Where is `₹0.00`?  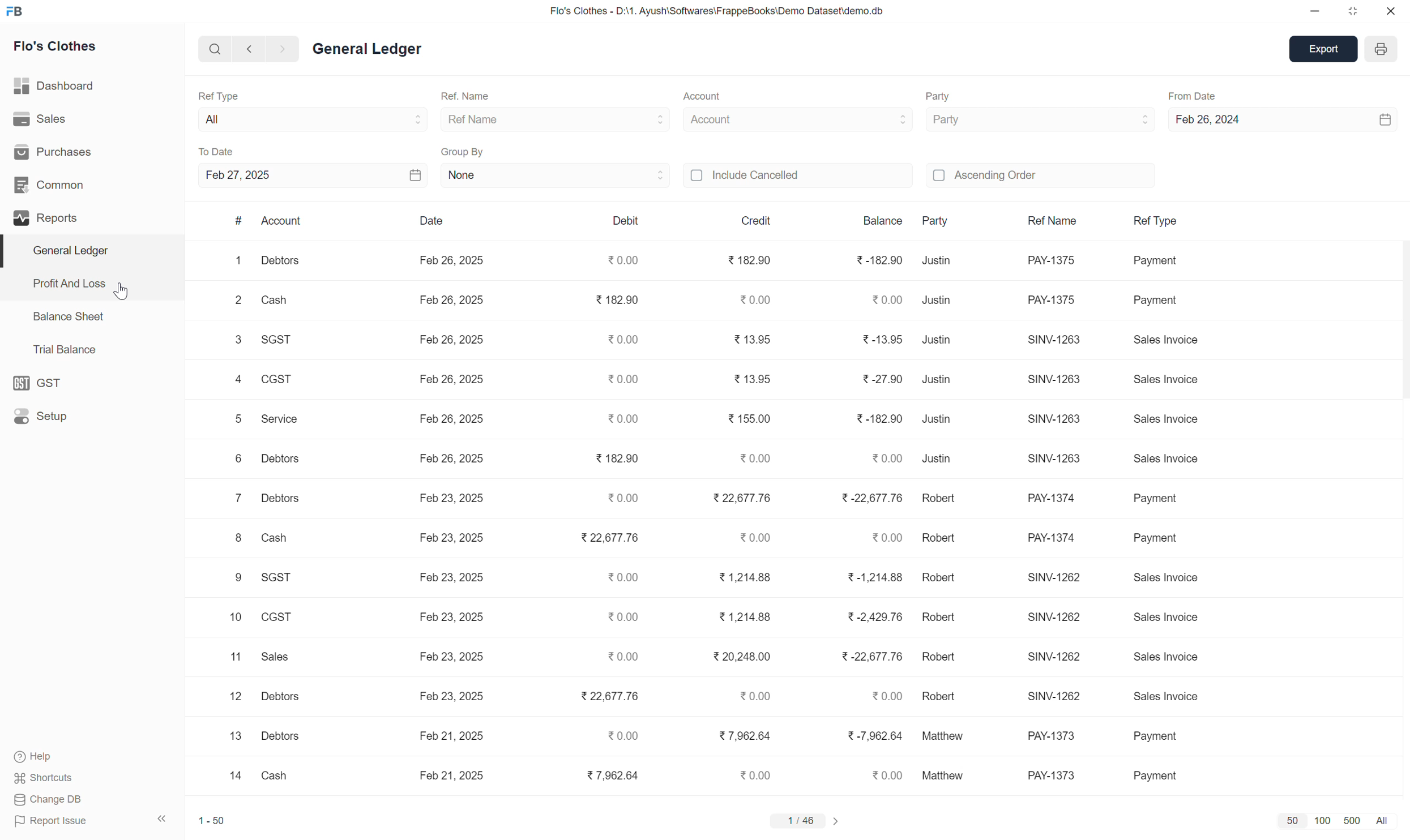
₹0.00 is located at coordinates (883, 458).